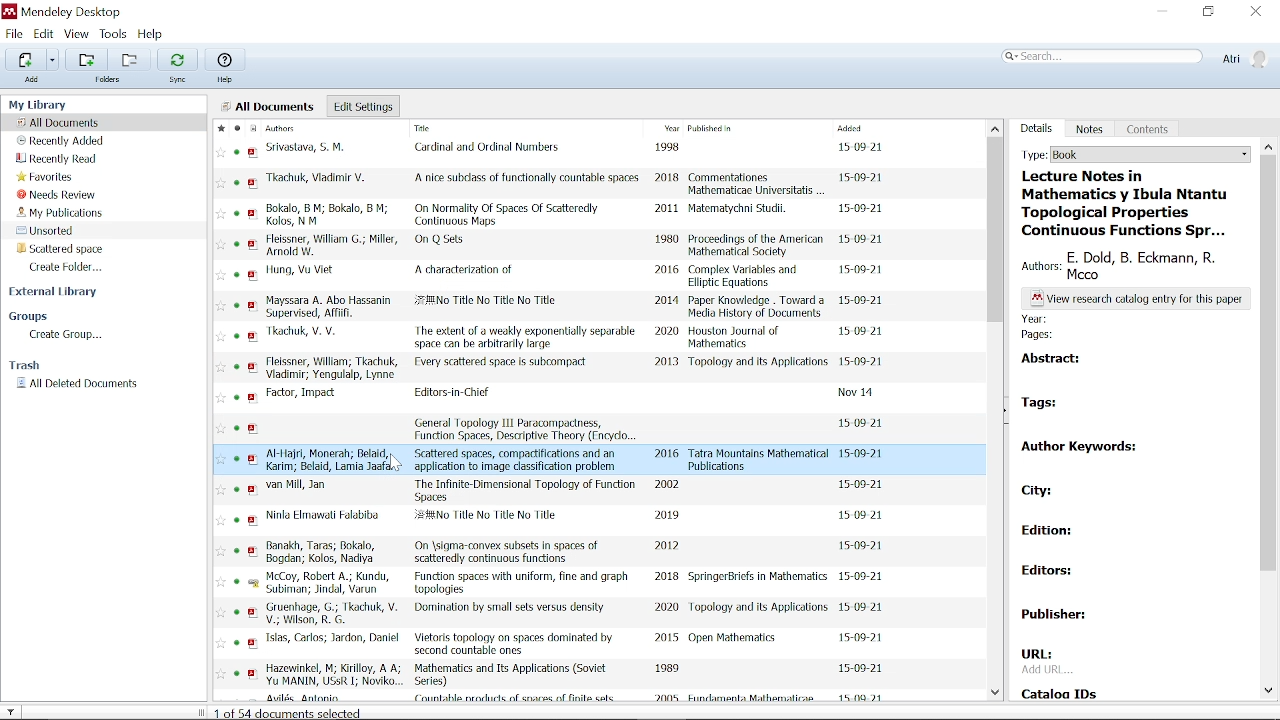 This screenshot has width=1280, height=720. I want to click on authors, so click(312, 334).